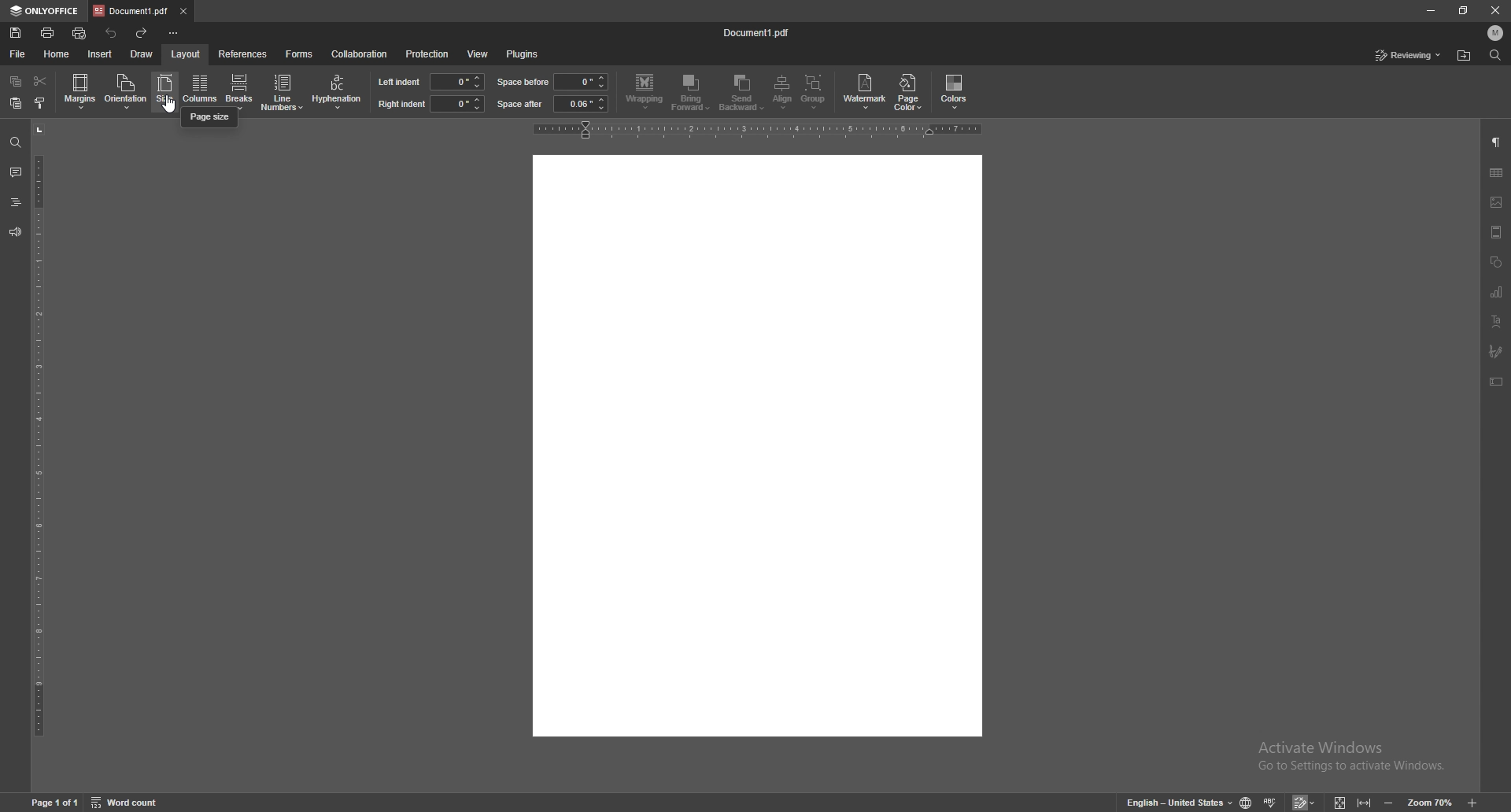 The width and height of the screenshot is (1511, 812). What do you see at coordinates (1498, 321) in the screenshot?
I see `text art` at bounding box center [1498, 321].